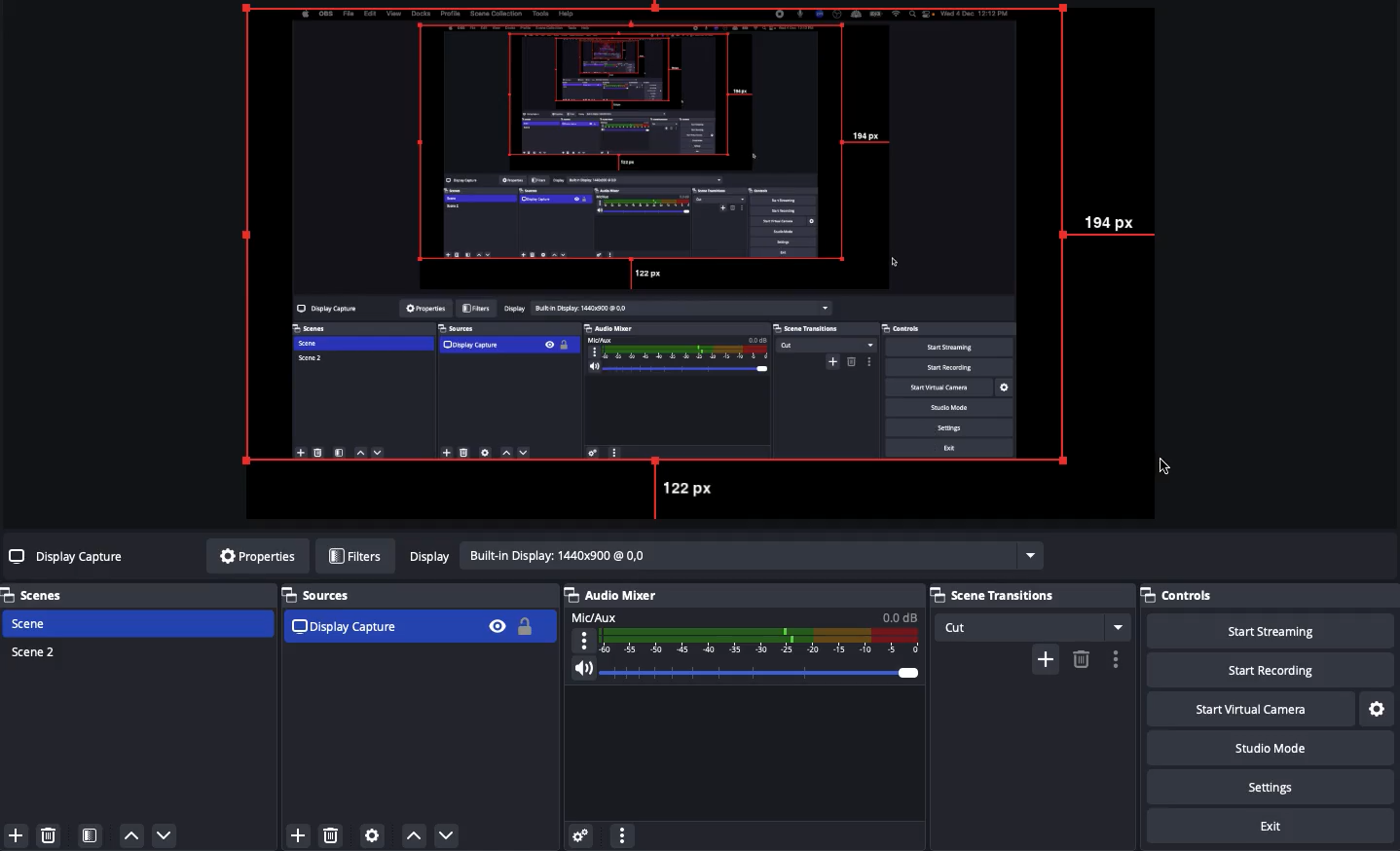 This screenshot has height=851, width=1400. Describe the element at coordinates (621, 833) in the screenshot. I see `More` at that location.